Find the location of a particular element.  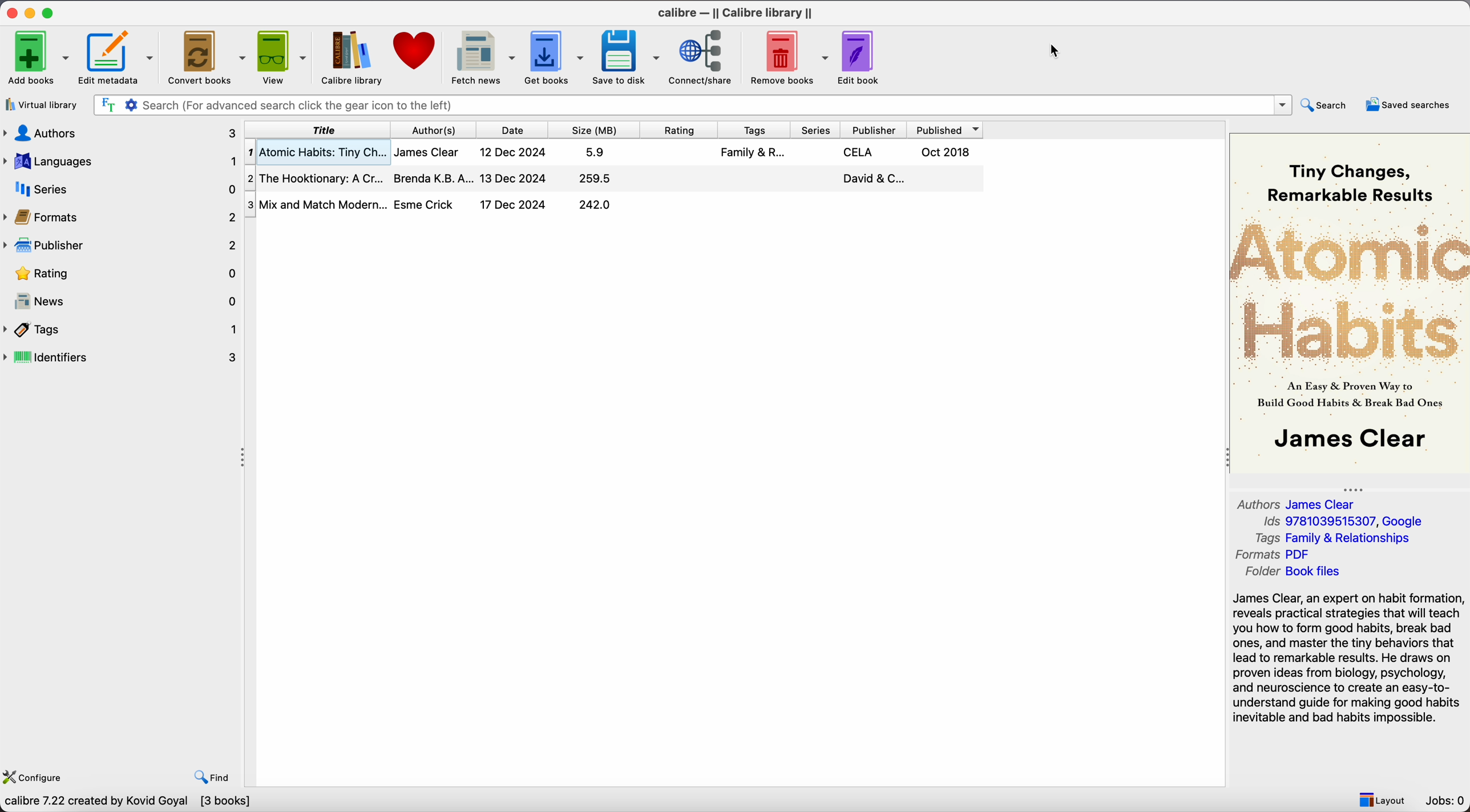

Mix and Match Modern...  is located at coordinates (316, 205).